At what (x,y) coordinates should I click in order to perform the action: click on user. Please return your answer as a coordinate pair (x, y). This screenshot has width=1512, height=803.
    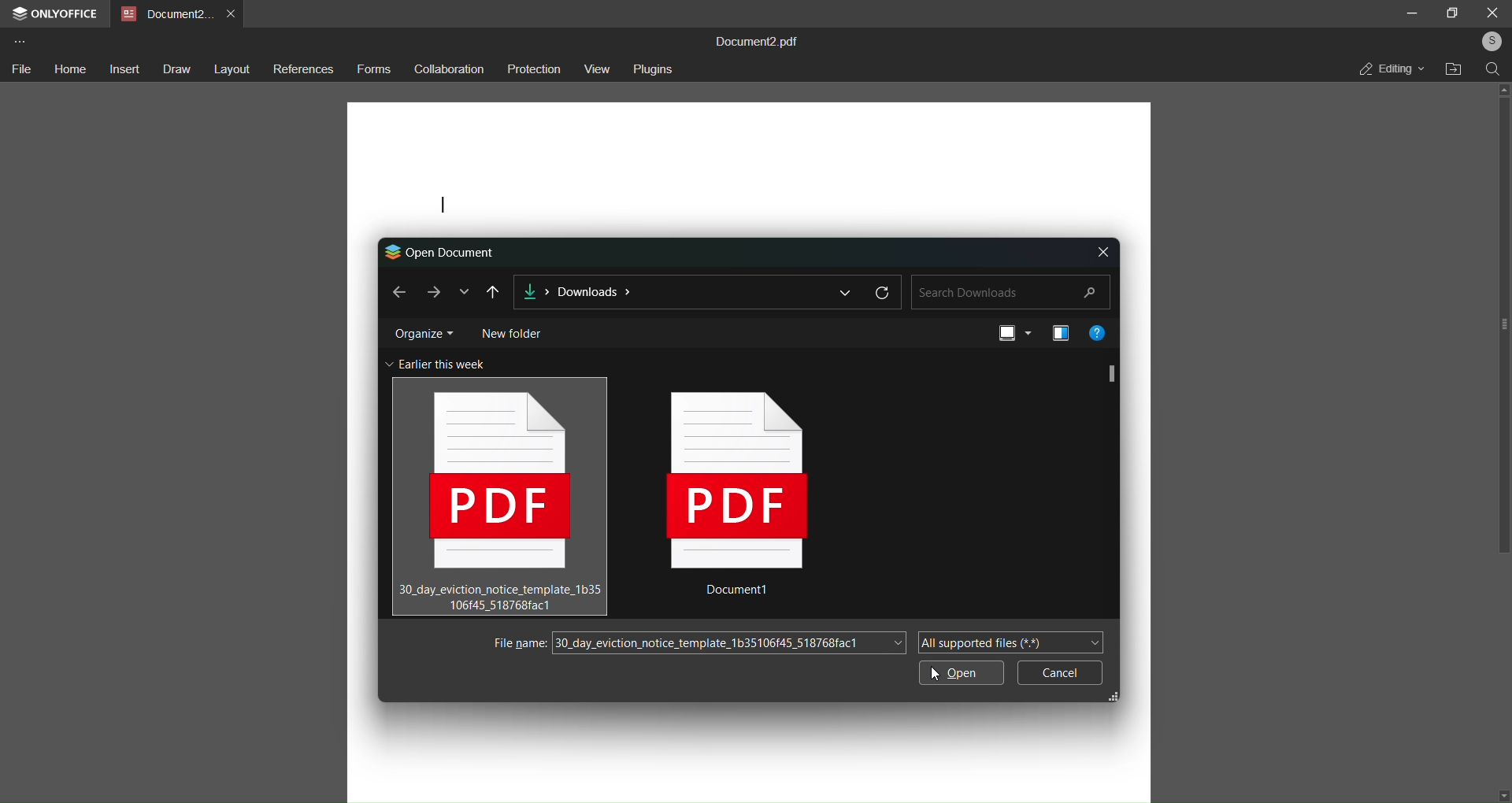
    Looking at the image, I should click on (1488, 41).